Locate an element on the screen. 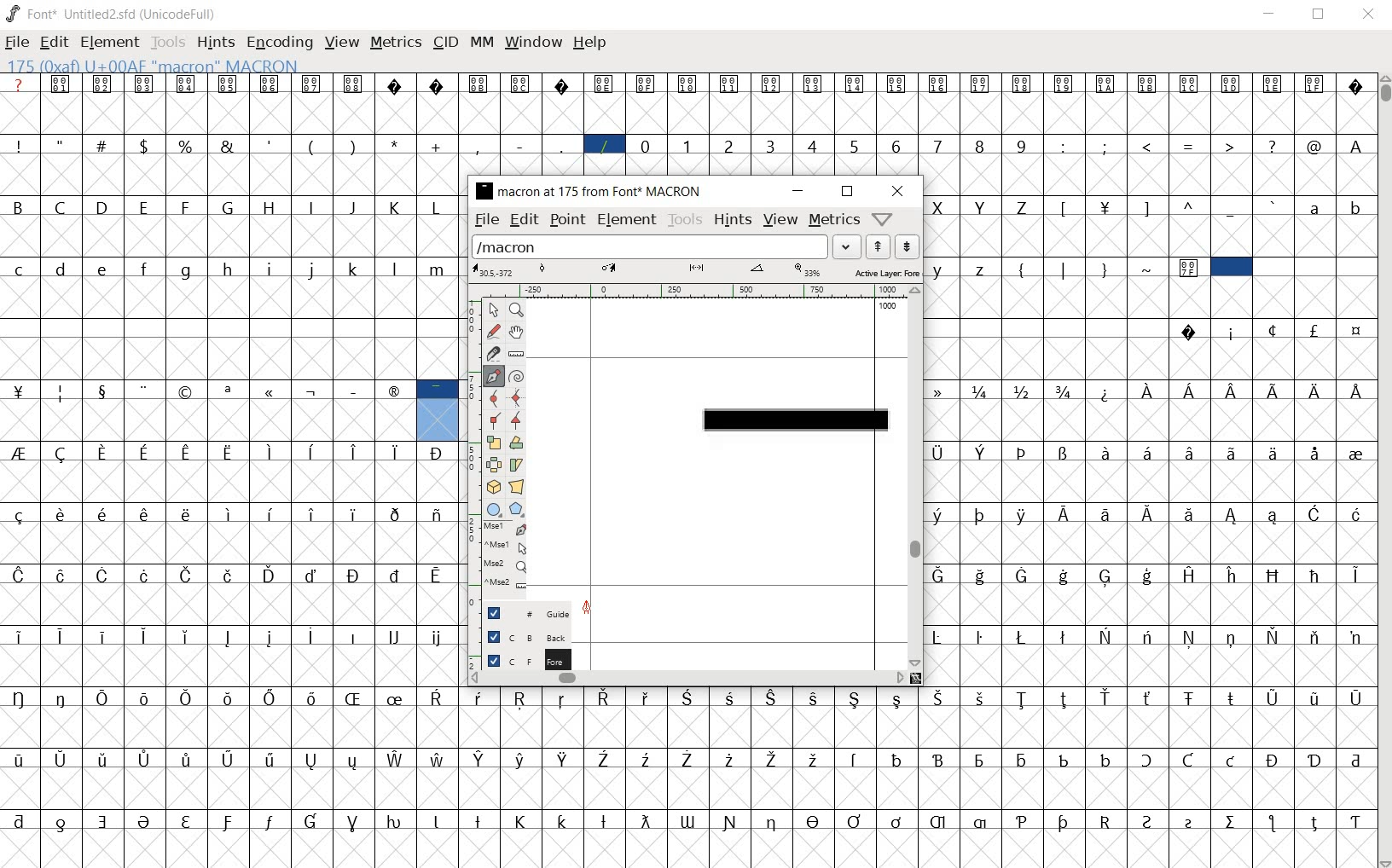 The height and width of the screenshot is (868, 1392). Symbol is located at coordinates (521, 83).